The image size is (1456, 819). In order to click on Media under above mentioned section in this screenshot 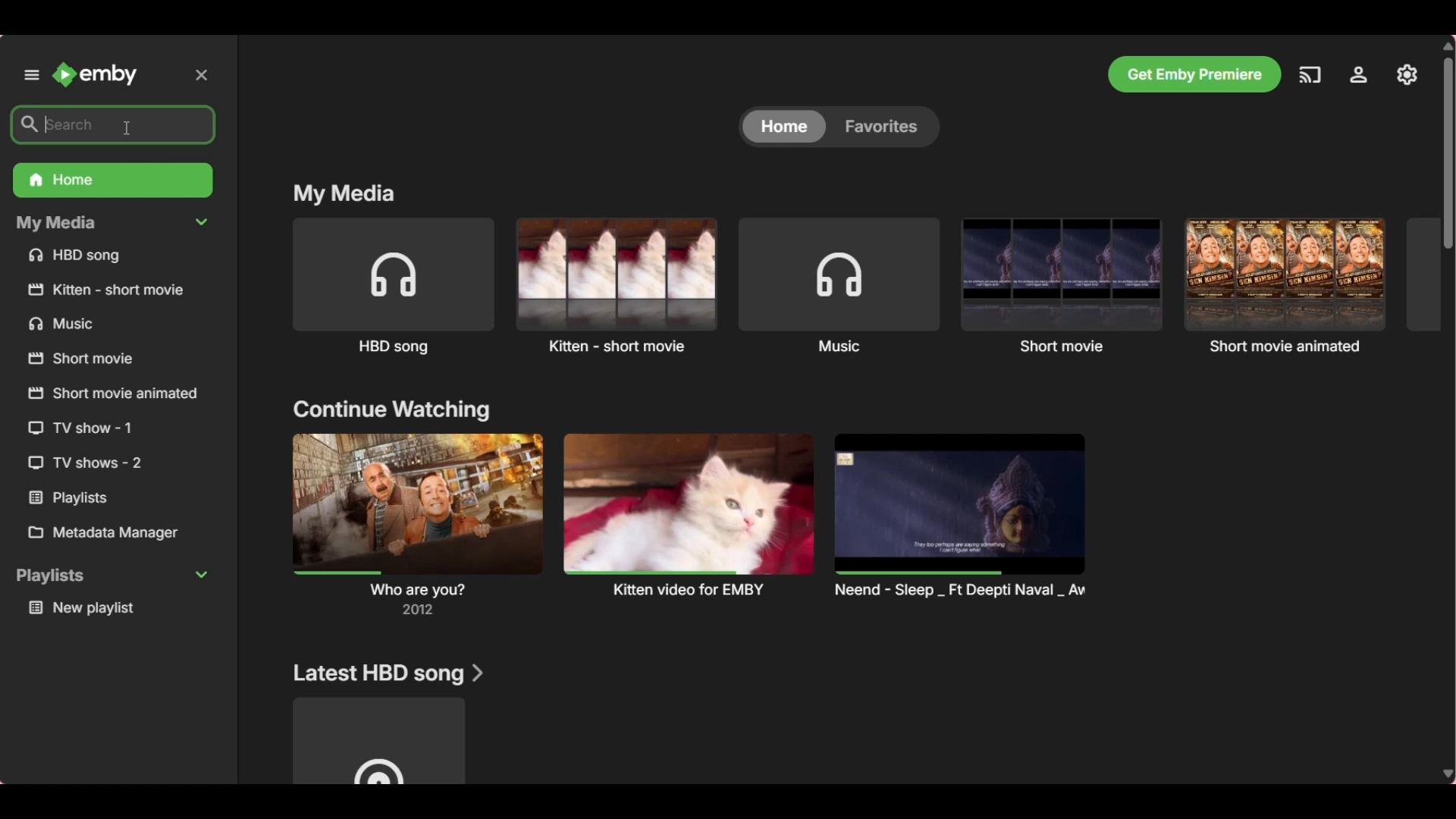, I will do `click(379, 741)`.